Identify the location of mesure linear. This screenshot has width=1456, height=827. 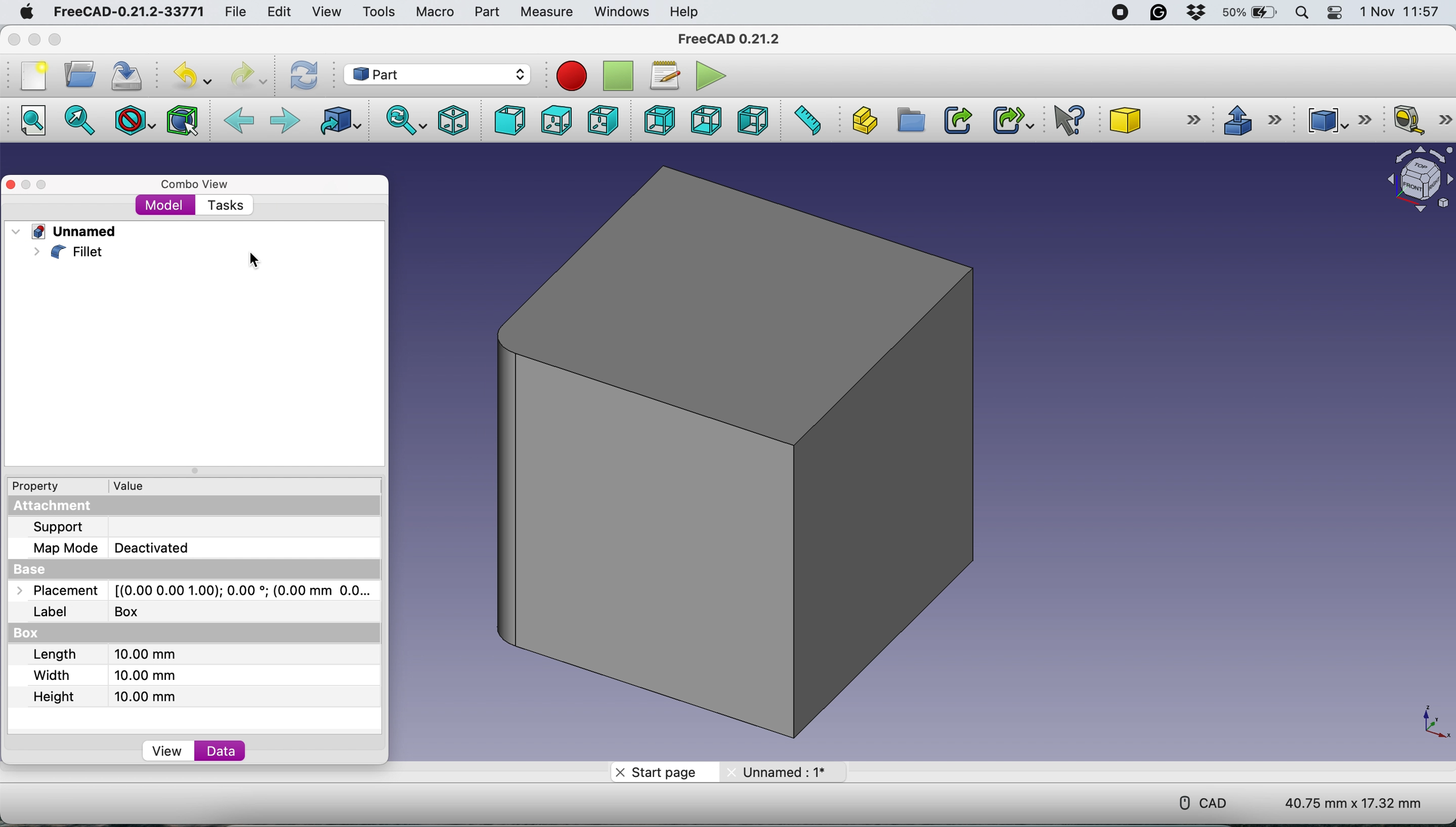
(1421, 119).